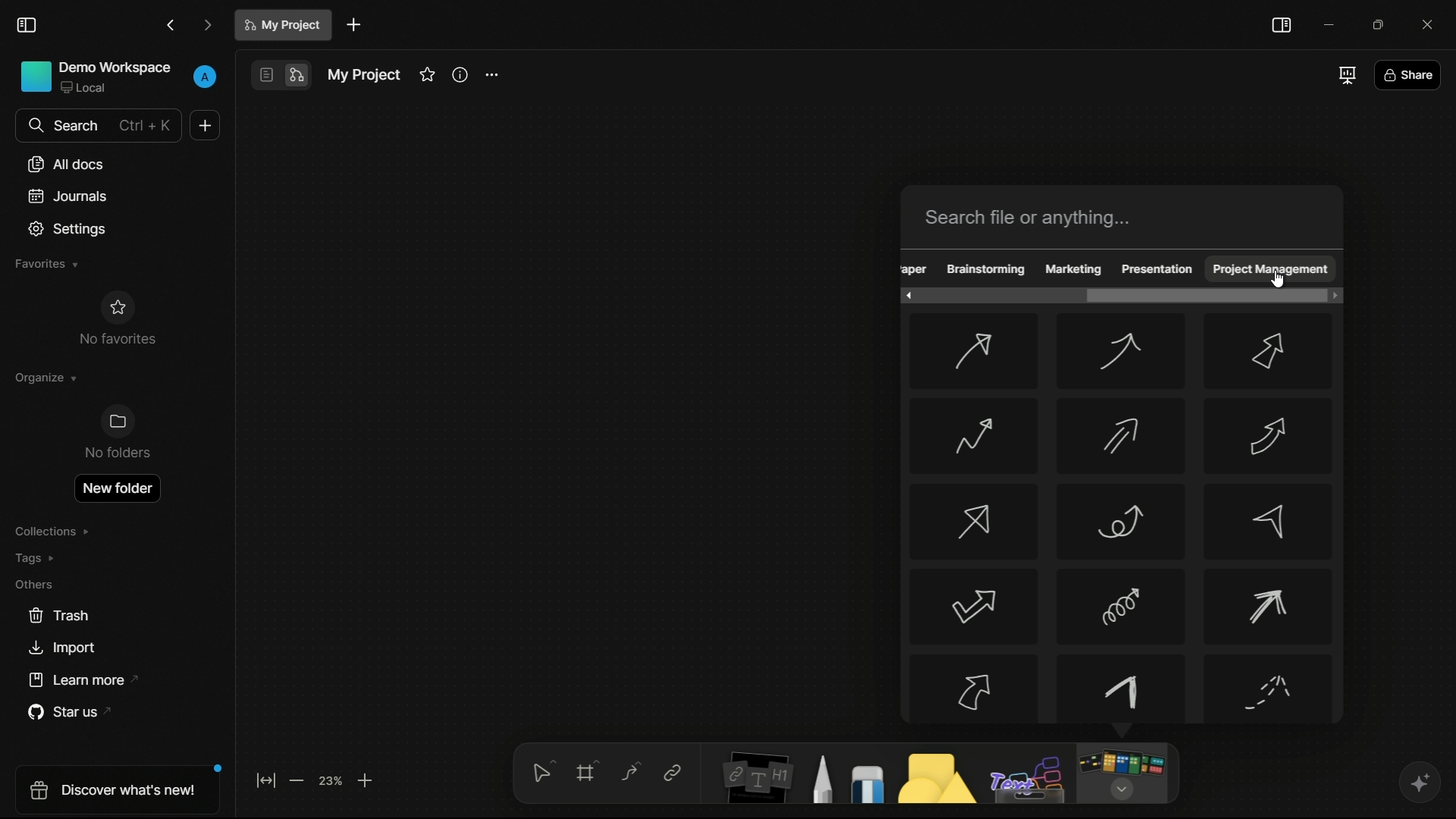  I want to click on frames, so click(589, 770).